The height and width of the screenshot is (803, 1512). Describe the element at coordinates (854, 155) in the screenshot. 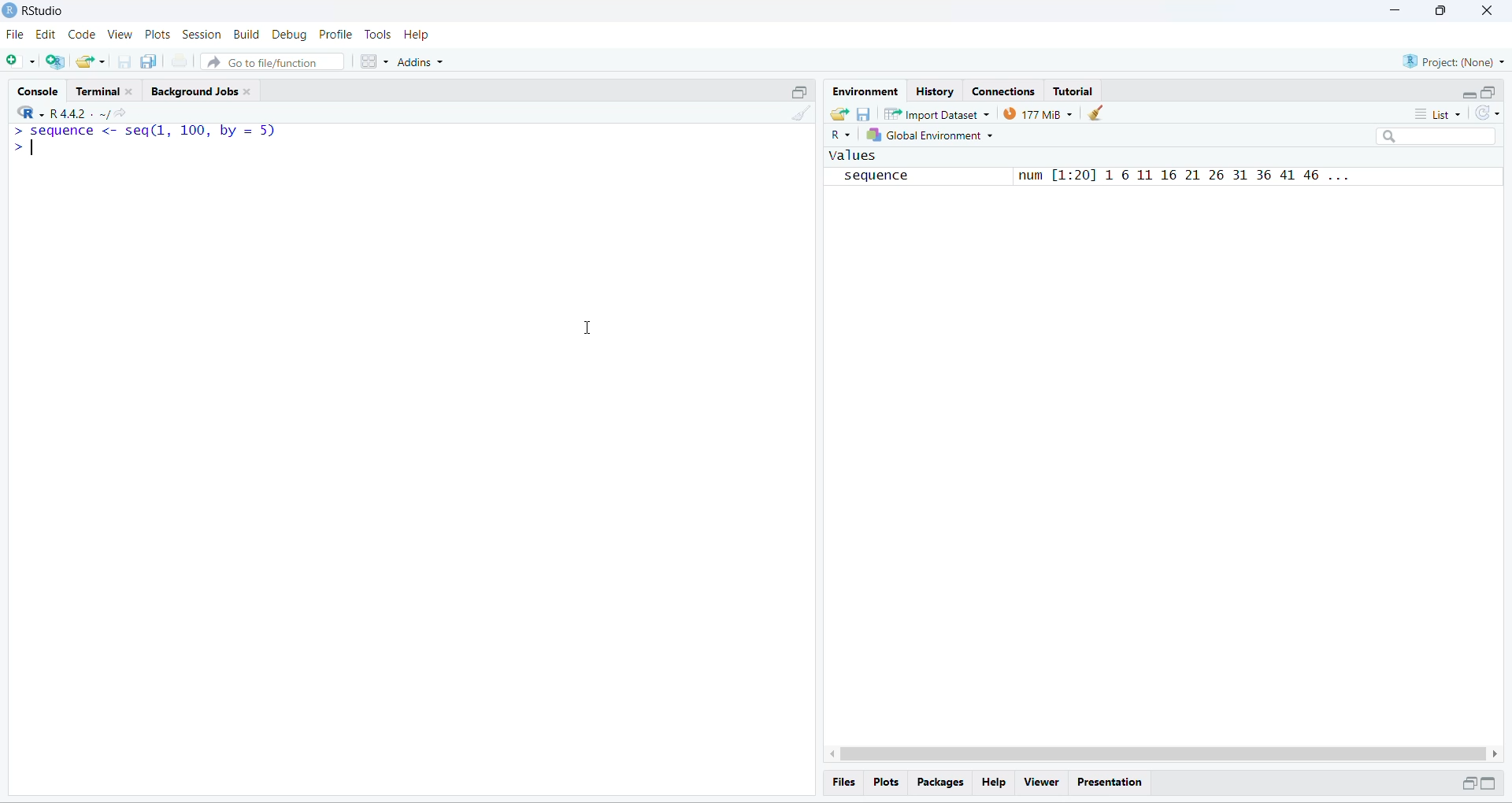

I see `values` at that location.